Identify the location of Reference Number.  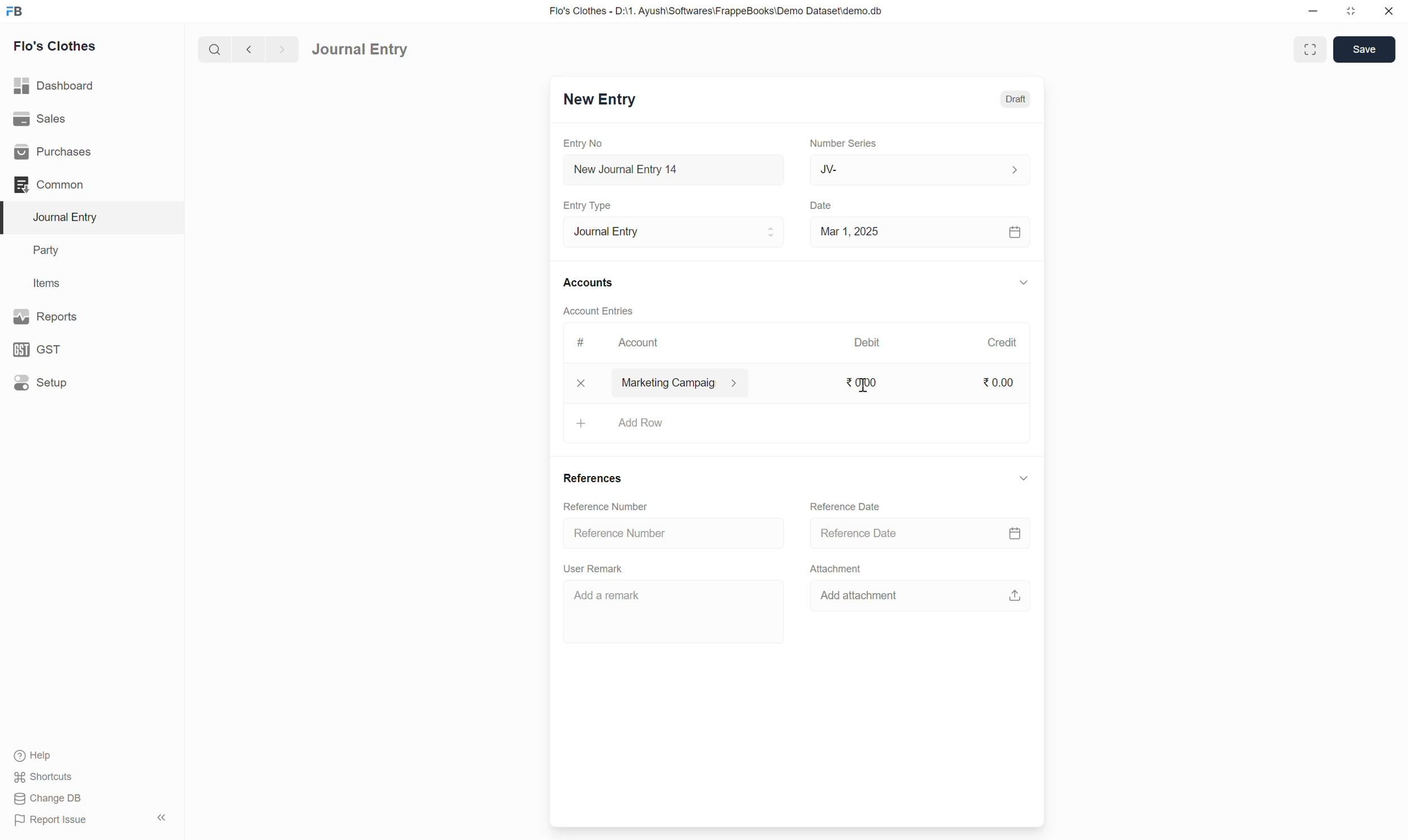
(603, 506).